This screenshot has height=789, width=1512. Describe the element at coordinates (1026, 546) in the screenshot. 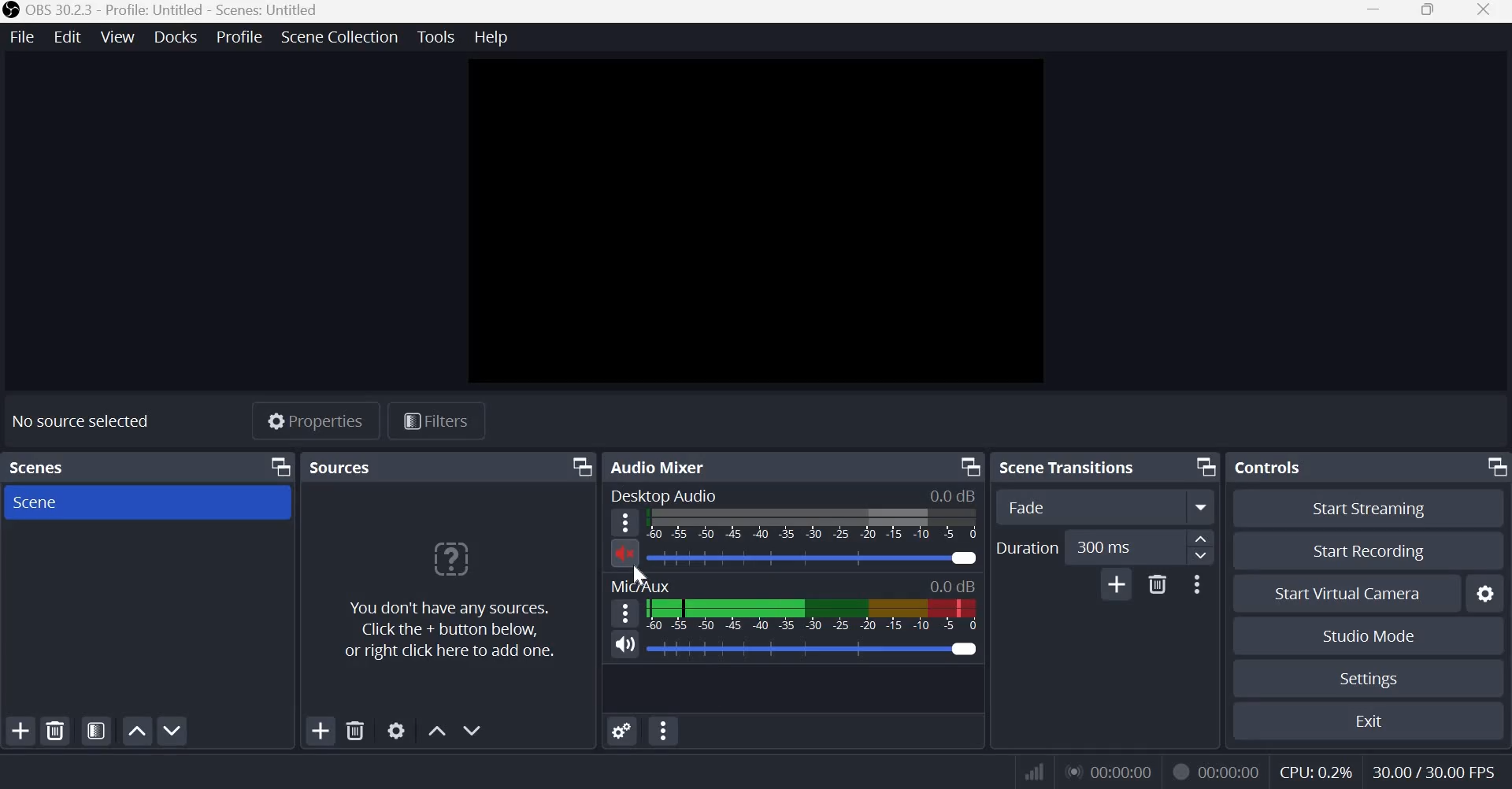

I see `Duration` at that location.